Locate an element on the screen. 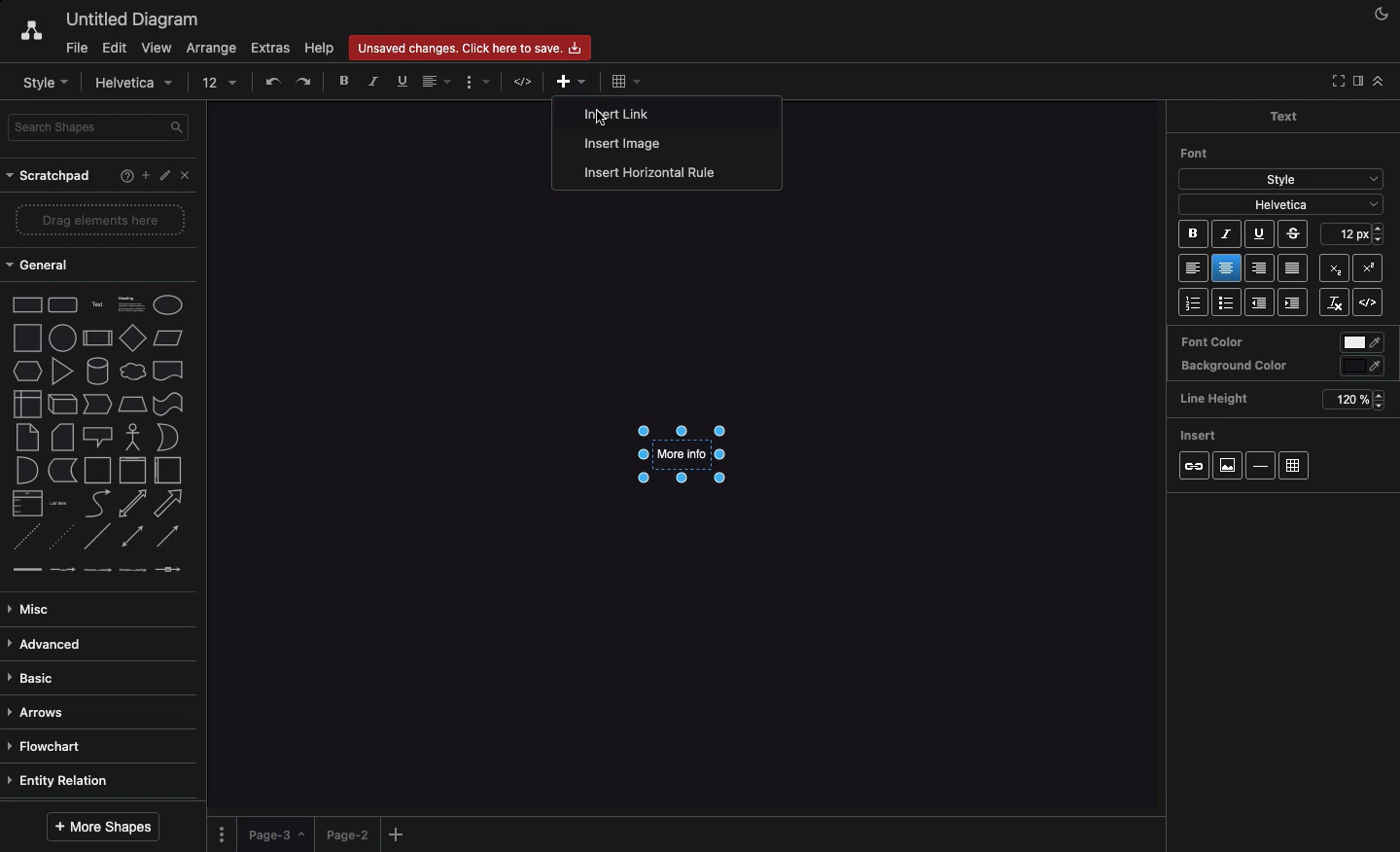  Center aligned is located at coordinates (1228, 268).